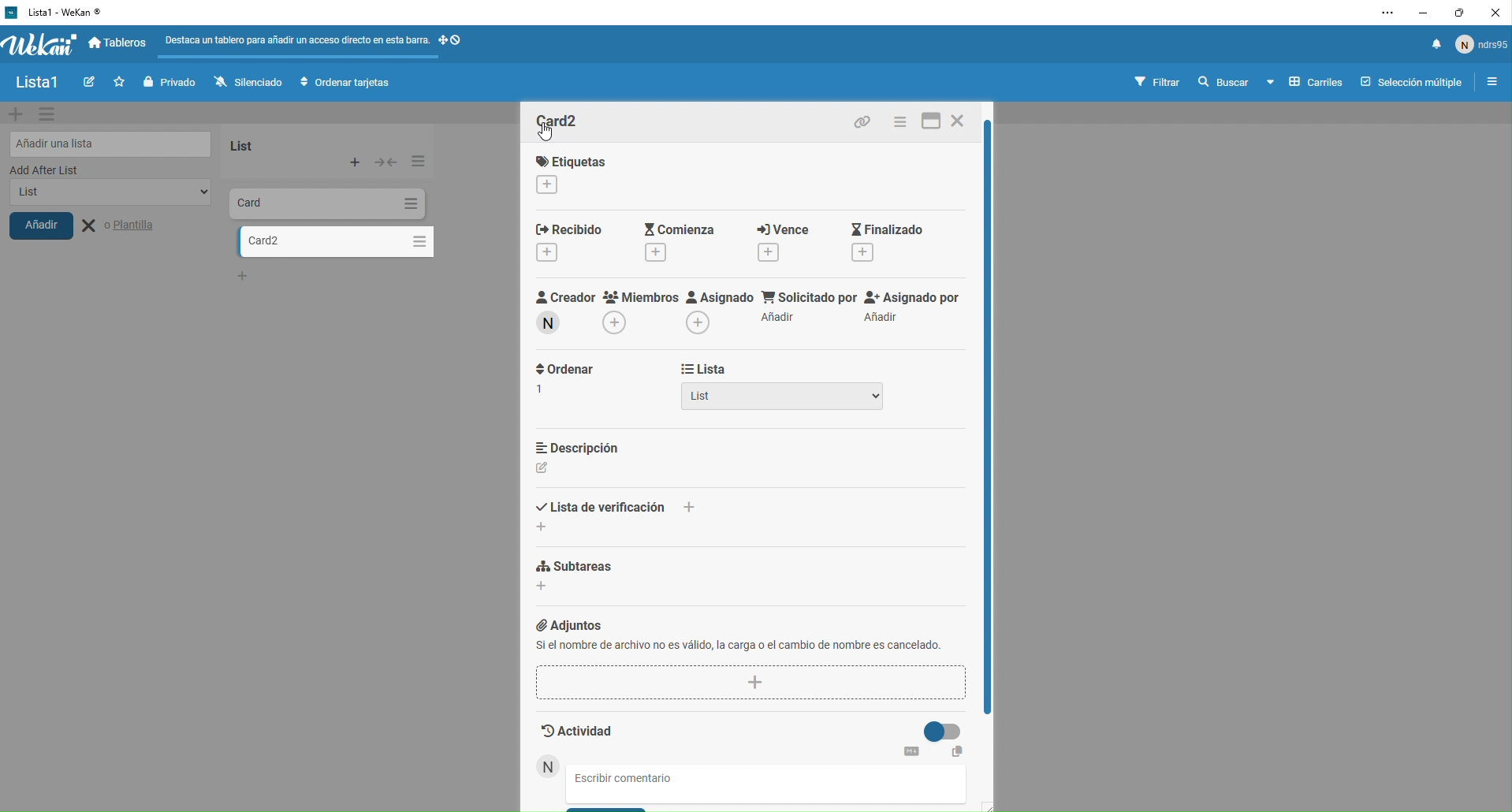  Describe the element at coordinates (416, 161) in the screenshot. I see `Options` at that location.